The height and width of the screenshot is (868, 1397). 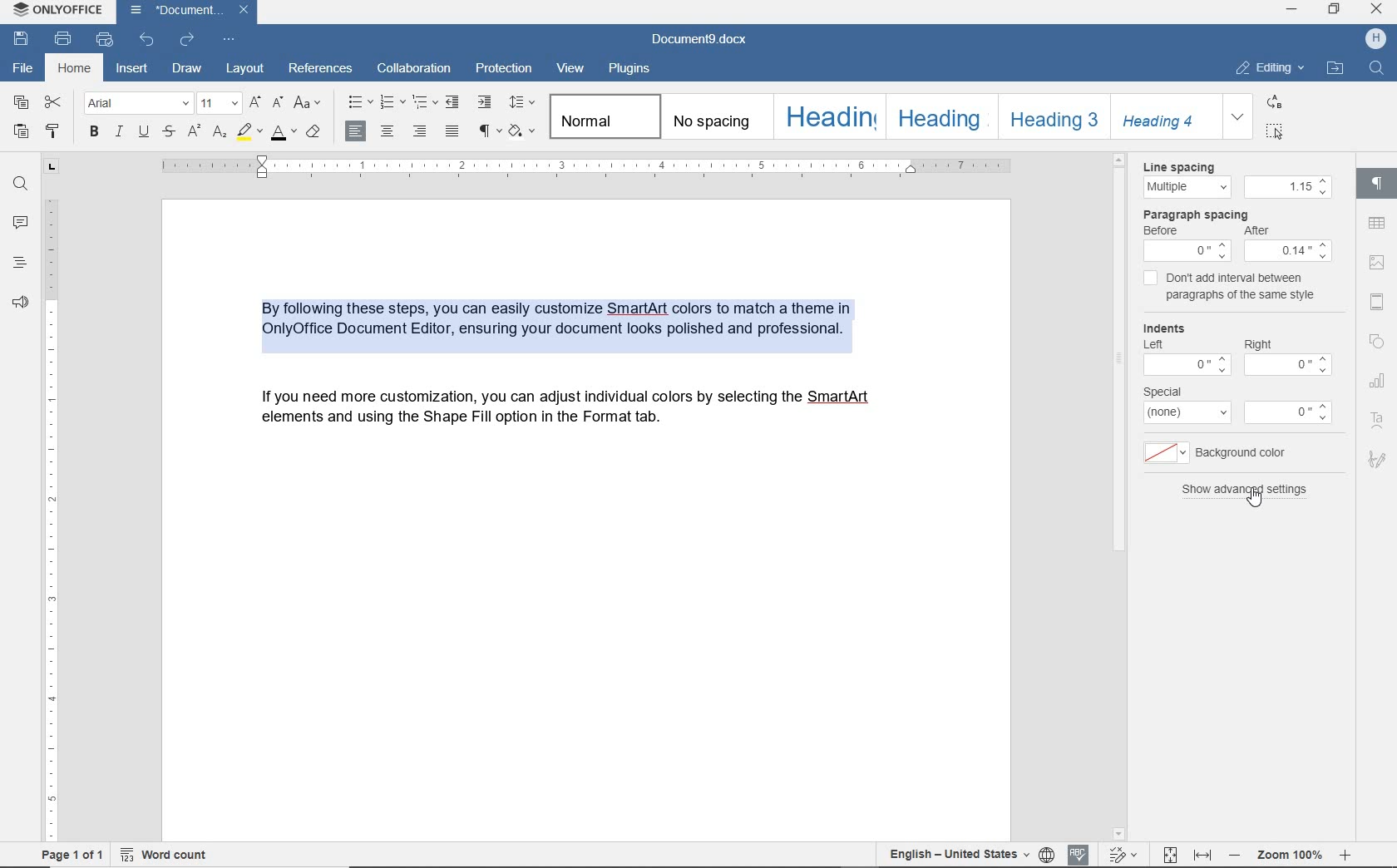 I want to click on bold, so click(x=93, y=131).